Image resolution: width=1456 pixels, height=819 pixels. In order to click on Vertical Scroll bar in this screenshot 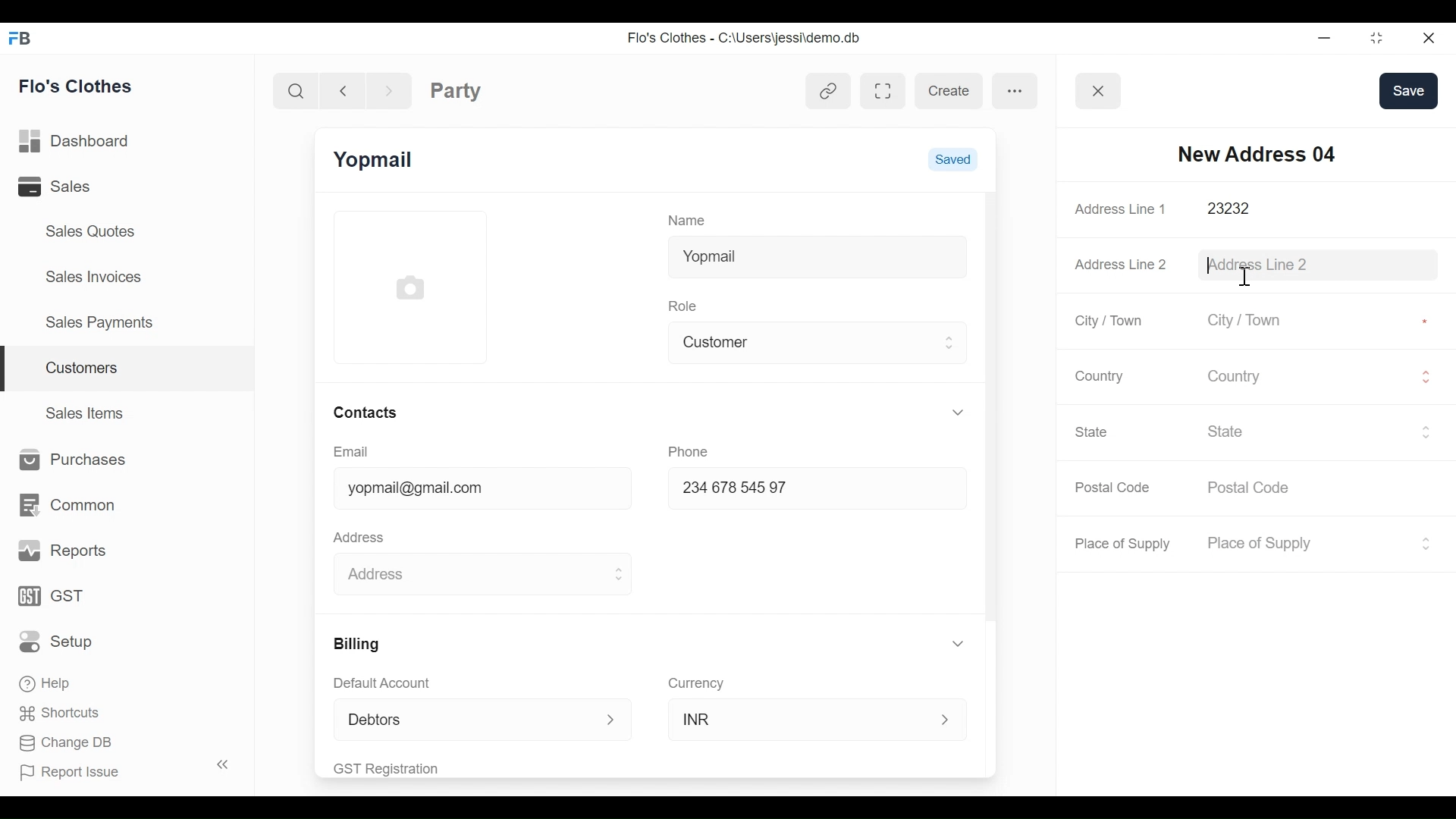, I will do `click(990, 407)`.